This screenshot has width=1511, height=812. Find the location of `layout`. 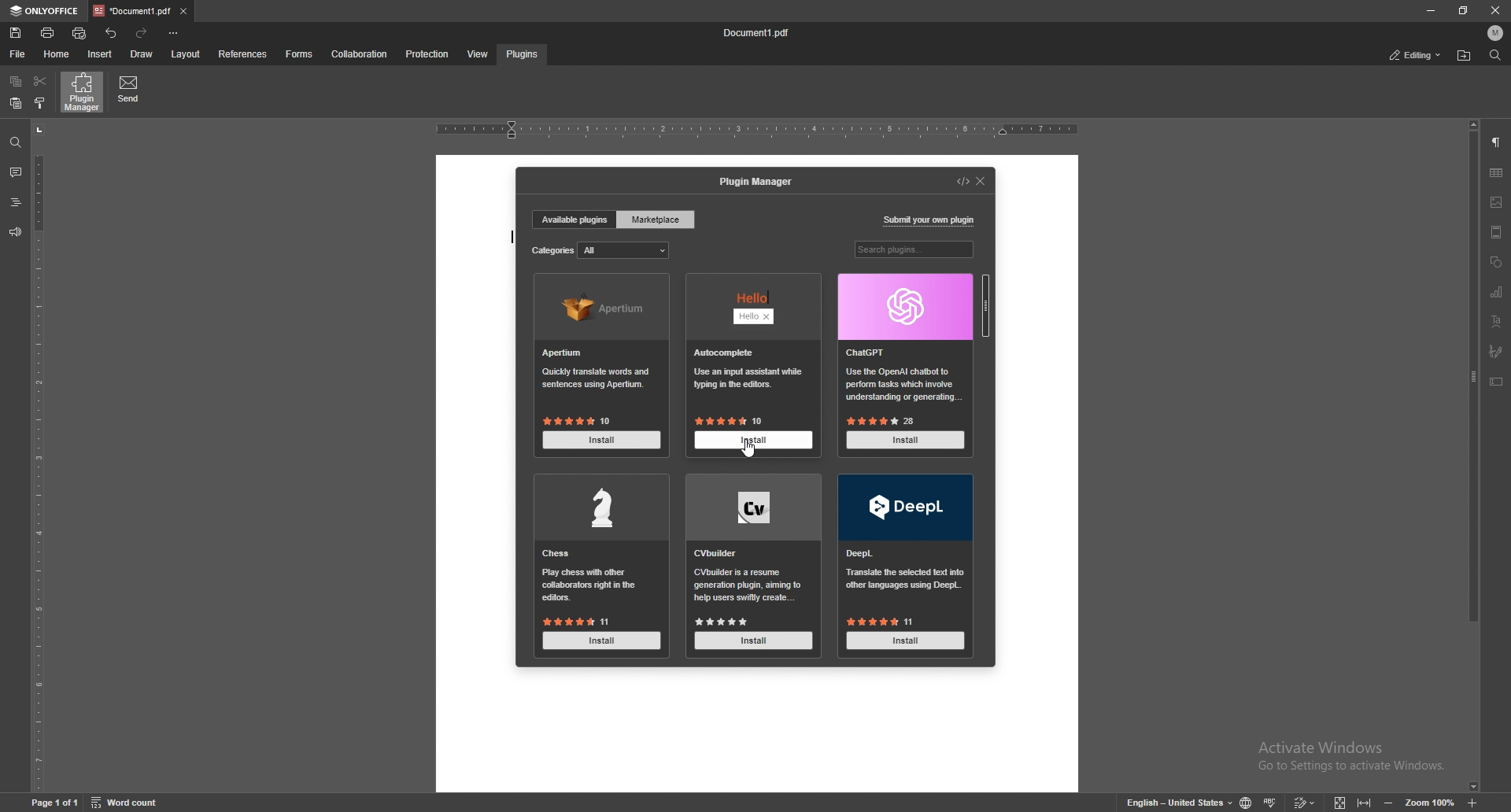

layout is located at coordinates (185, 54).